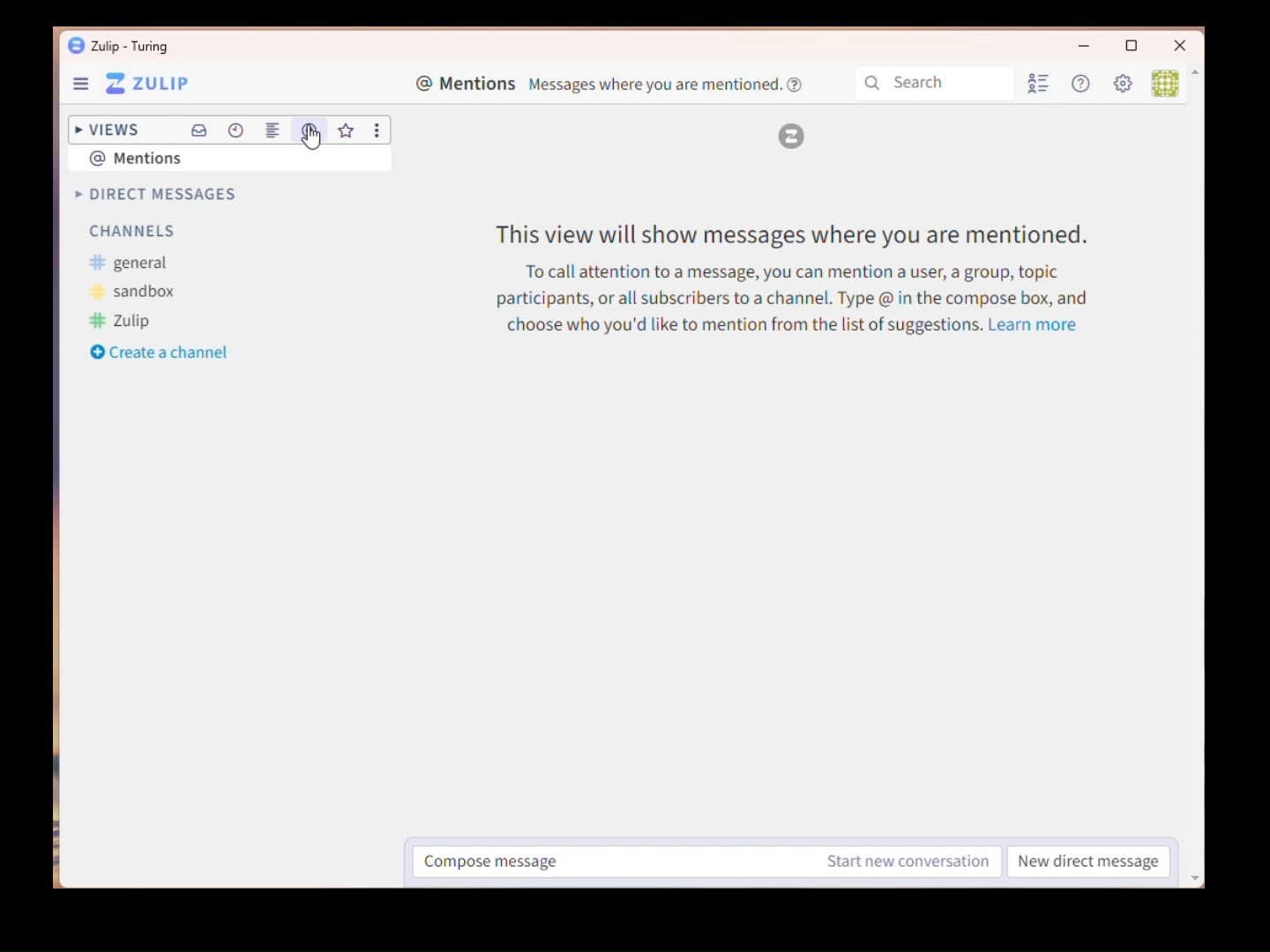 Image resolution: width=1270 pixels, height=952 pixels. I want to click on @ mentions, so click(153, 157).